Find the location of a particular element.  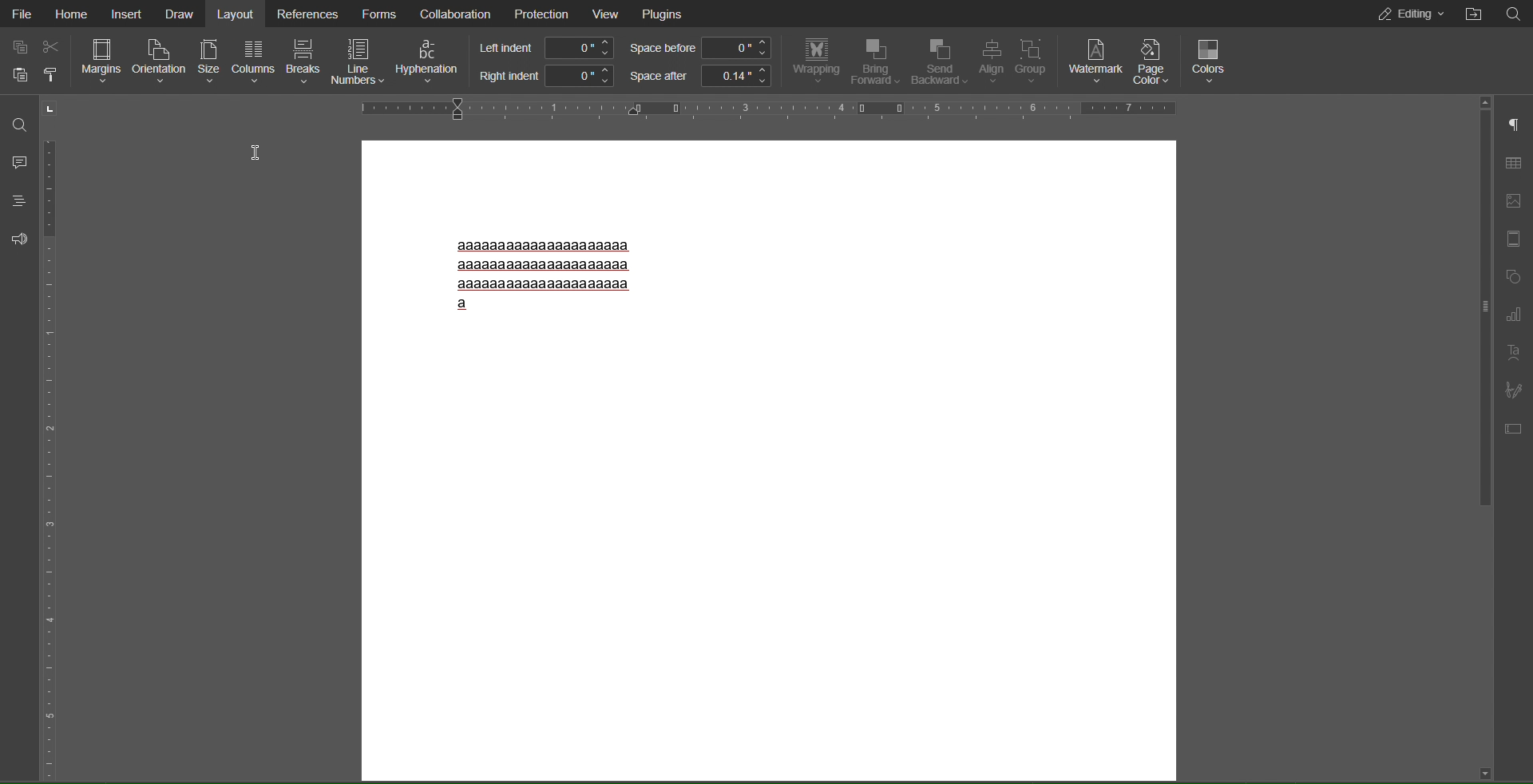

cursor is located at coordinates (257, 152).